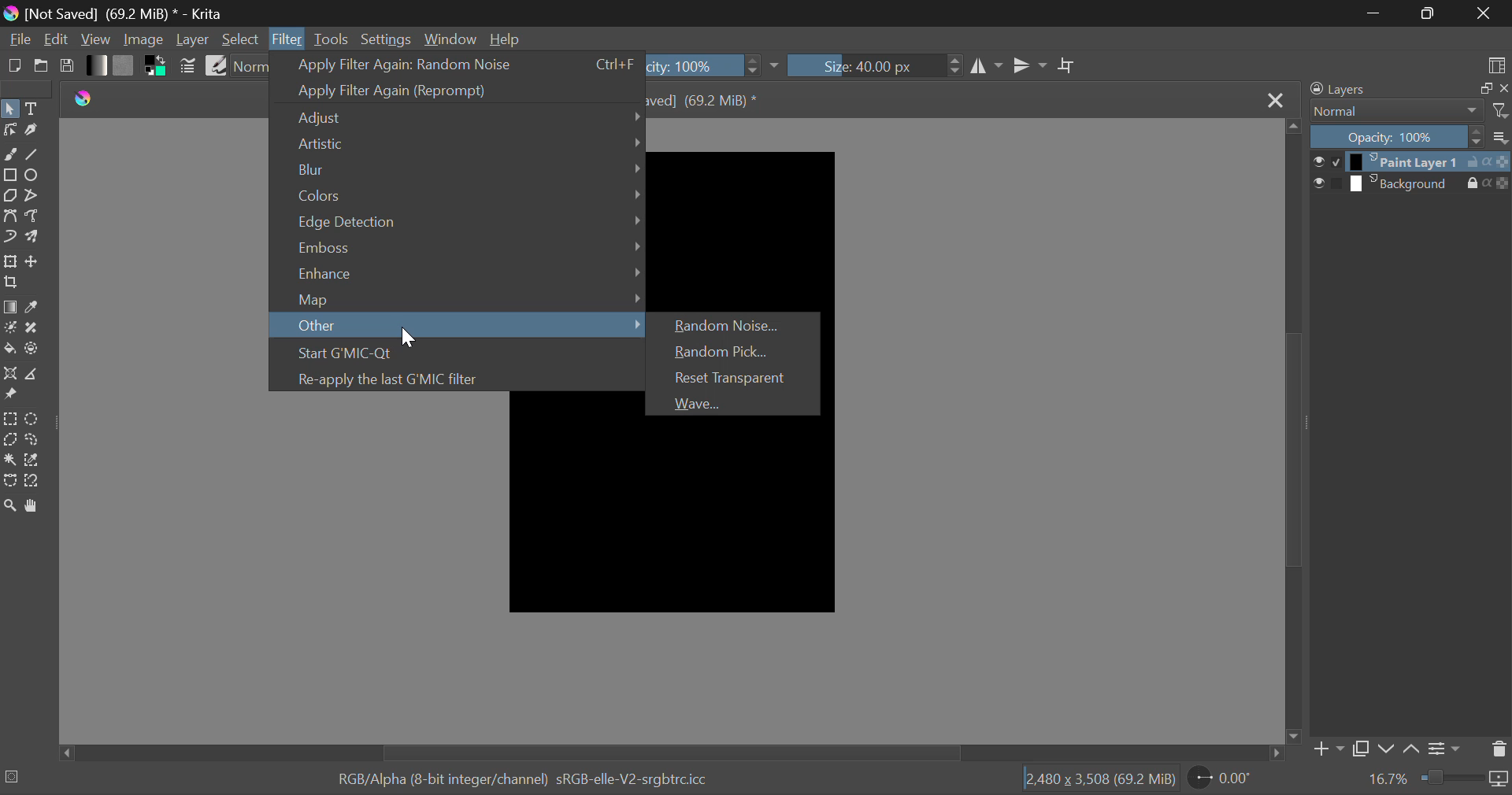 The width and height of the screenshot is (1512, 795). I want to click on Line, so click(33, 156).